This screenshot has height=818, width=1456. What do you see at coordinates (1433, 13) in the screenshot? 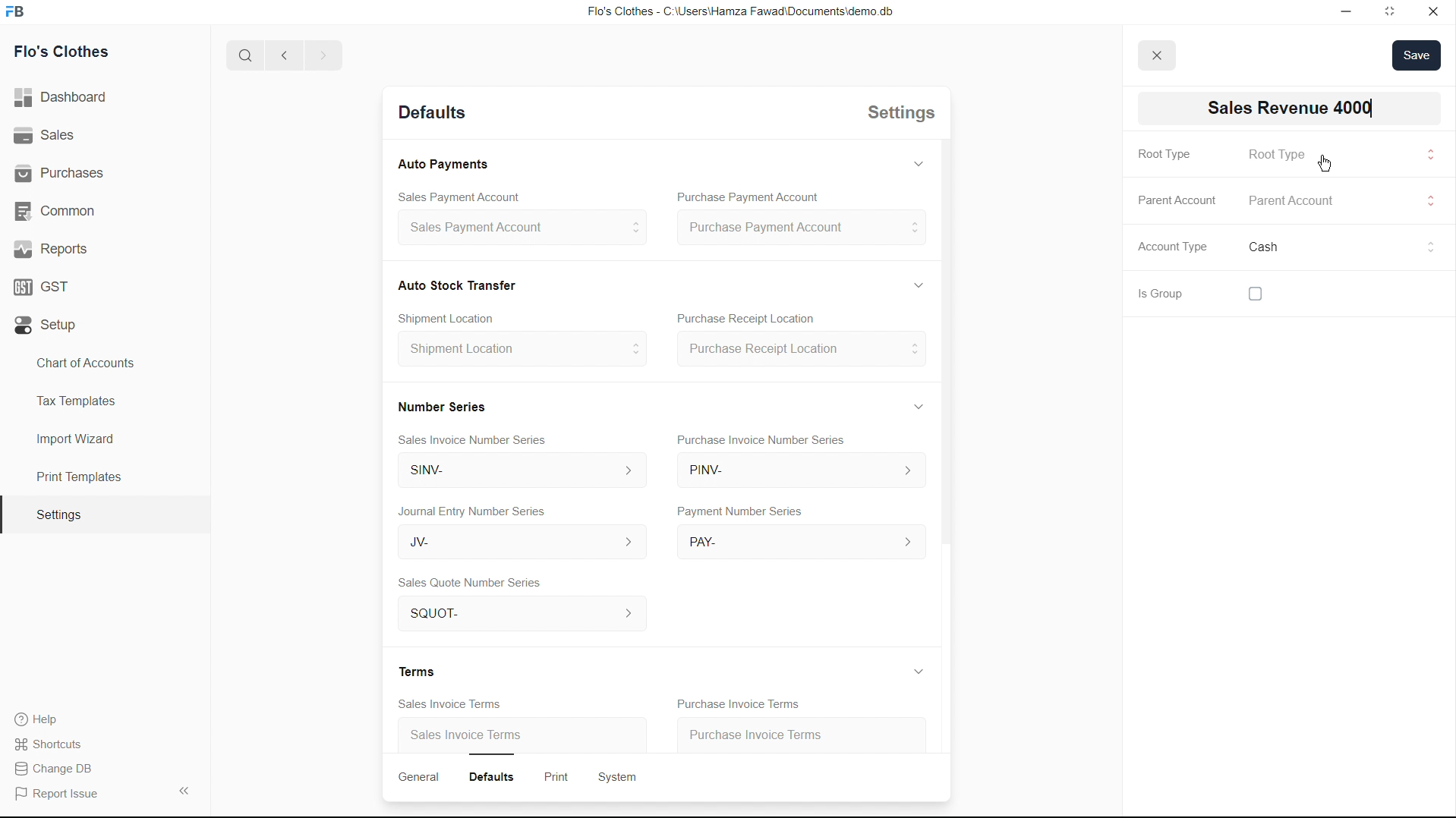
I see `Close` at bounding box center [1433, 13].